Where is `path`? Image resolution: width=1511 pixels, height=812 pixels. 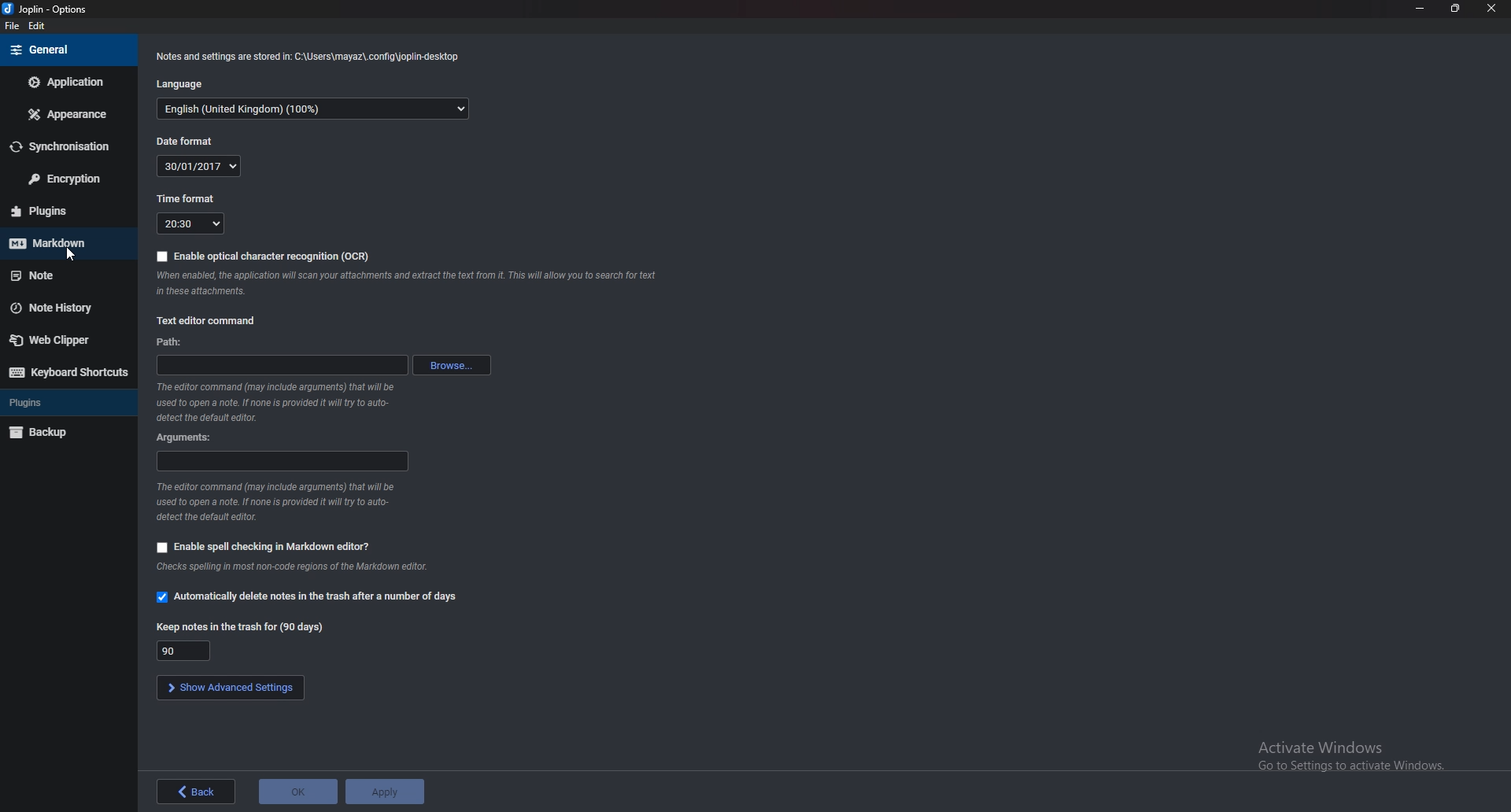 path is located at coordinates (171, 341).